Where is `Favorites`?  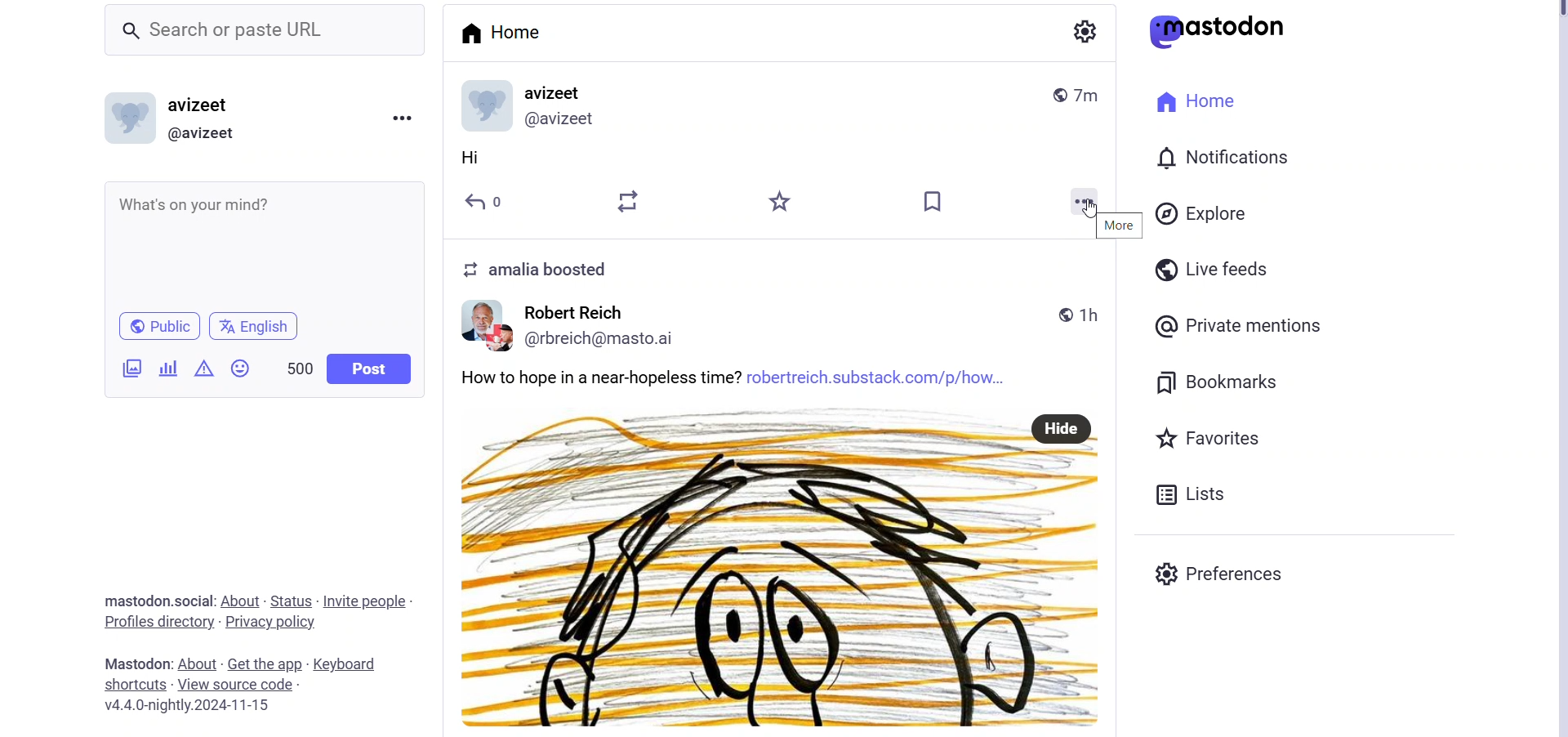
Favorites is located at coordinates (1220, 437).